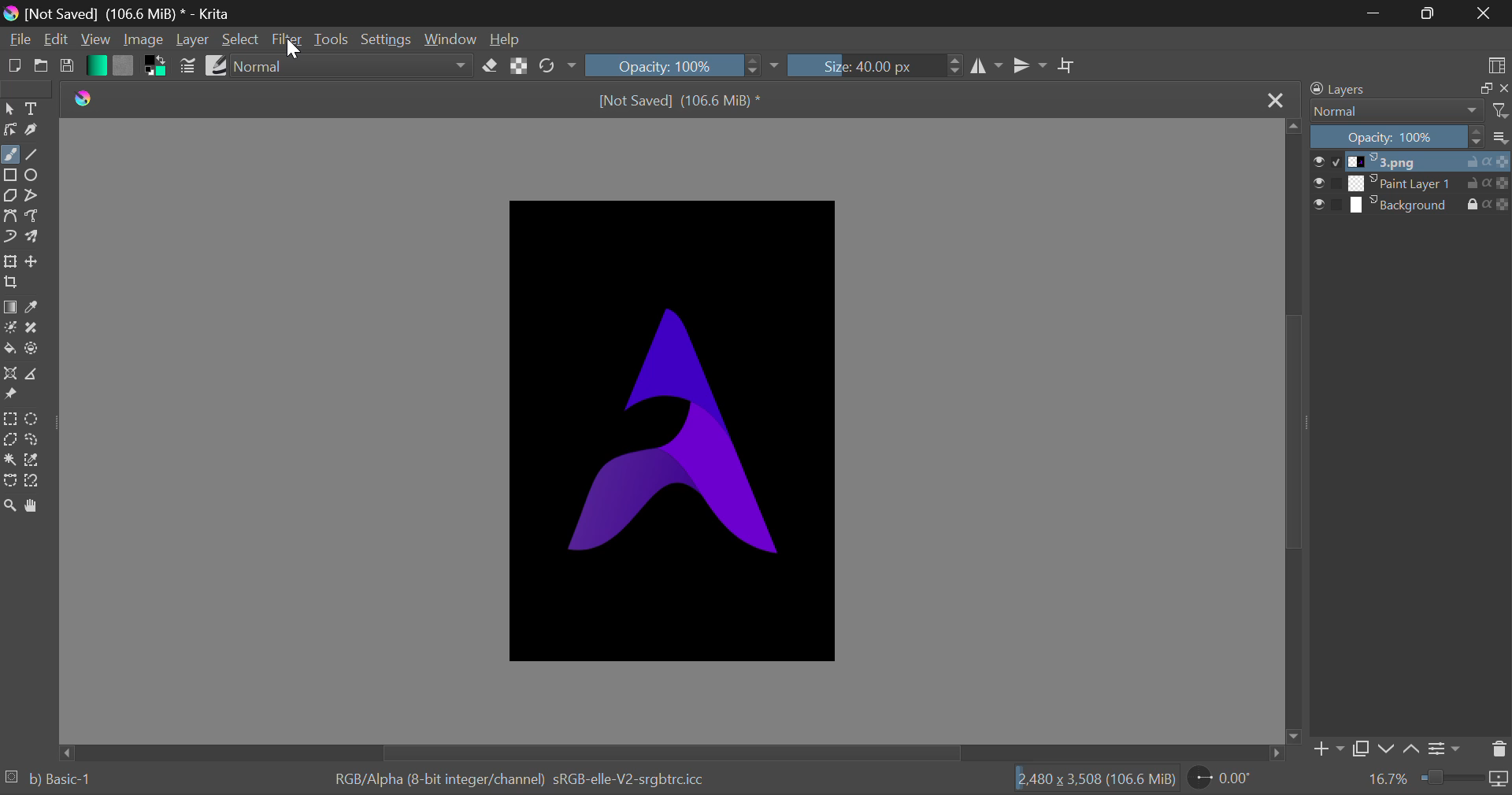 The image size is (1512, 795). What do you see at coordinates (684, 64) in the screenshot?
I see `Opacity 100%` at bounding box center [684, 64].